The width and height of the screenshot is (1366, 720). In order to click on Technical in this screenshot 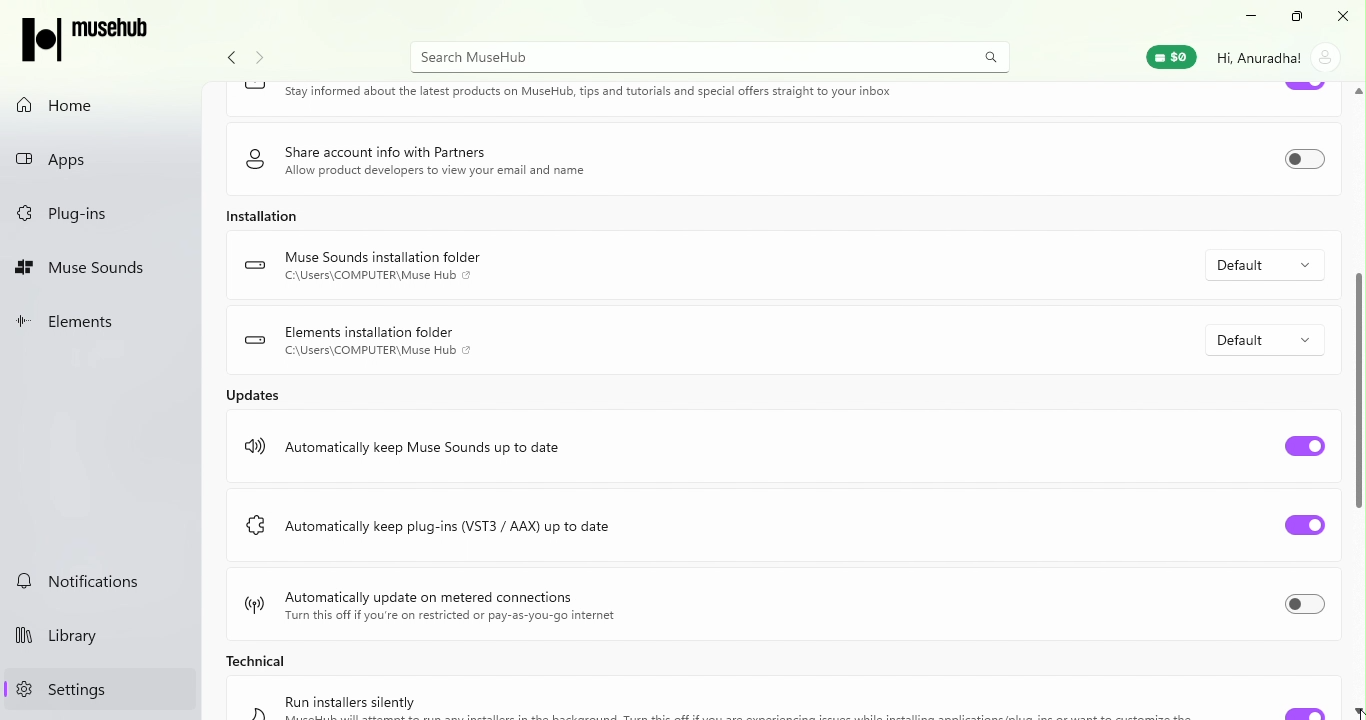, I will do `click(260, 660)`.